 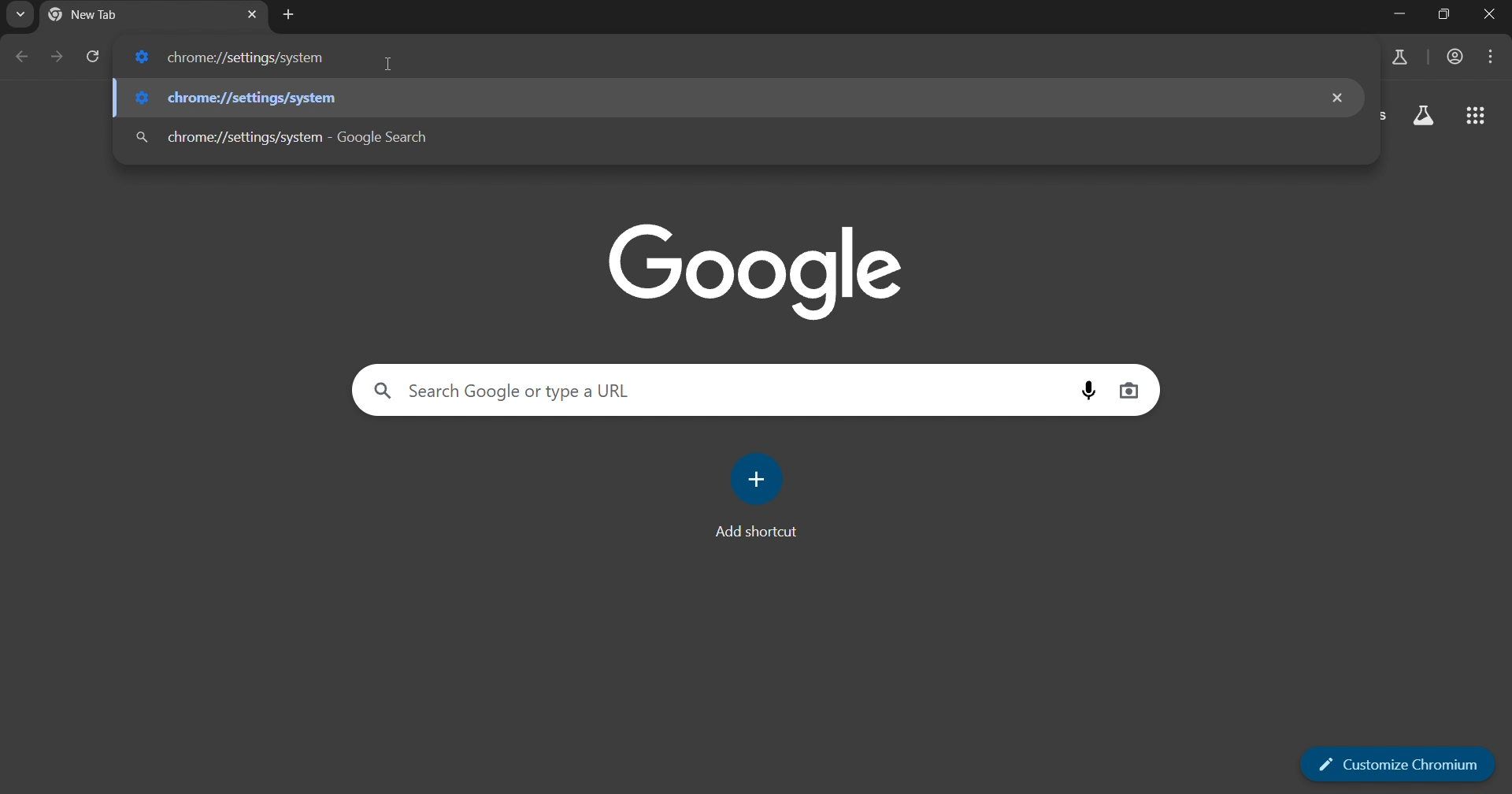 I want to click on search labs, so click(x=1399, y=57).